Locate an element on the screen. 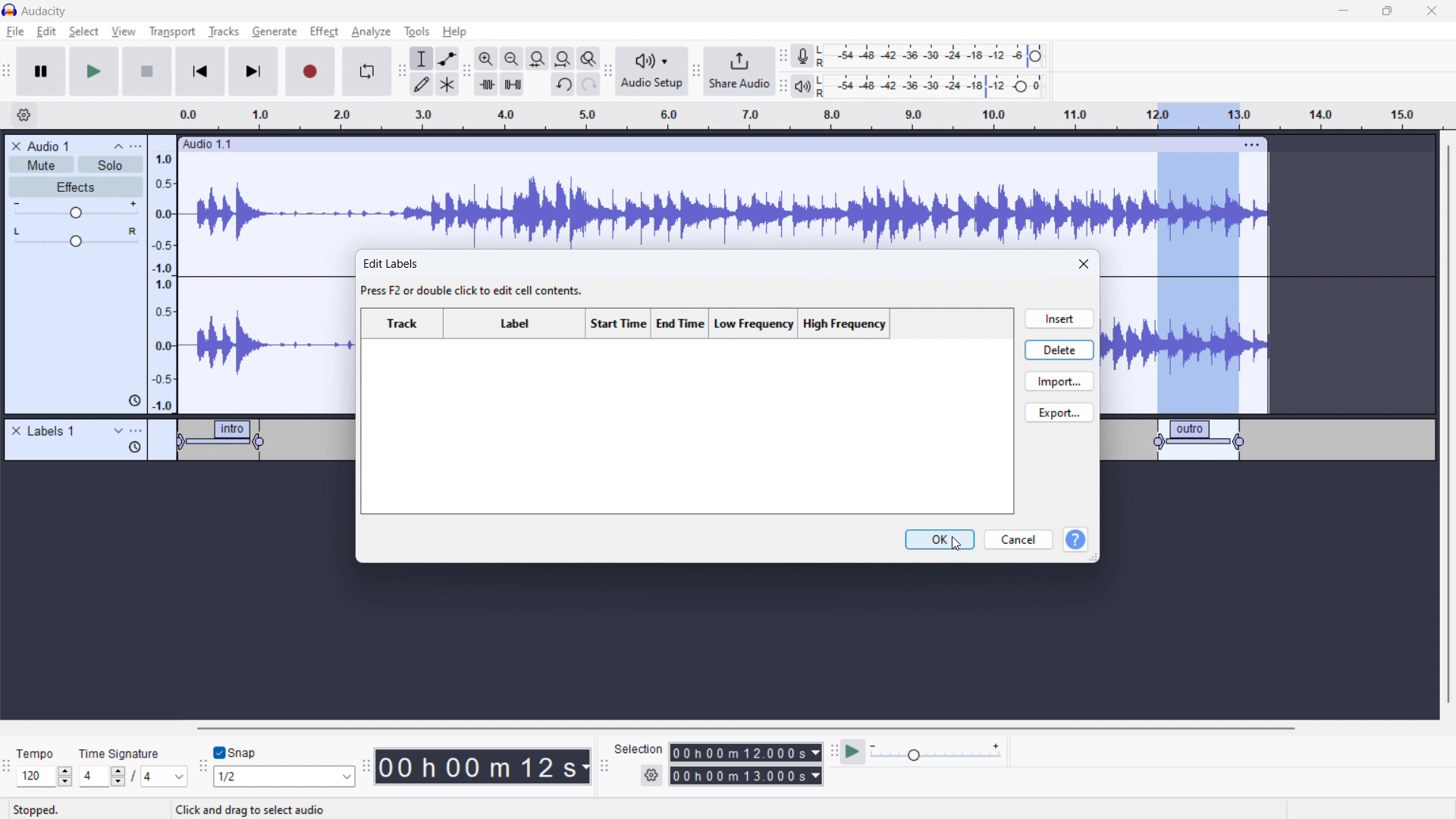 Image resolution: width=1456 pixels, height=819 pixels. remove is located at coordinates (16, 431).